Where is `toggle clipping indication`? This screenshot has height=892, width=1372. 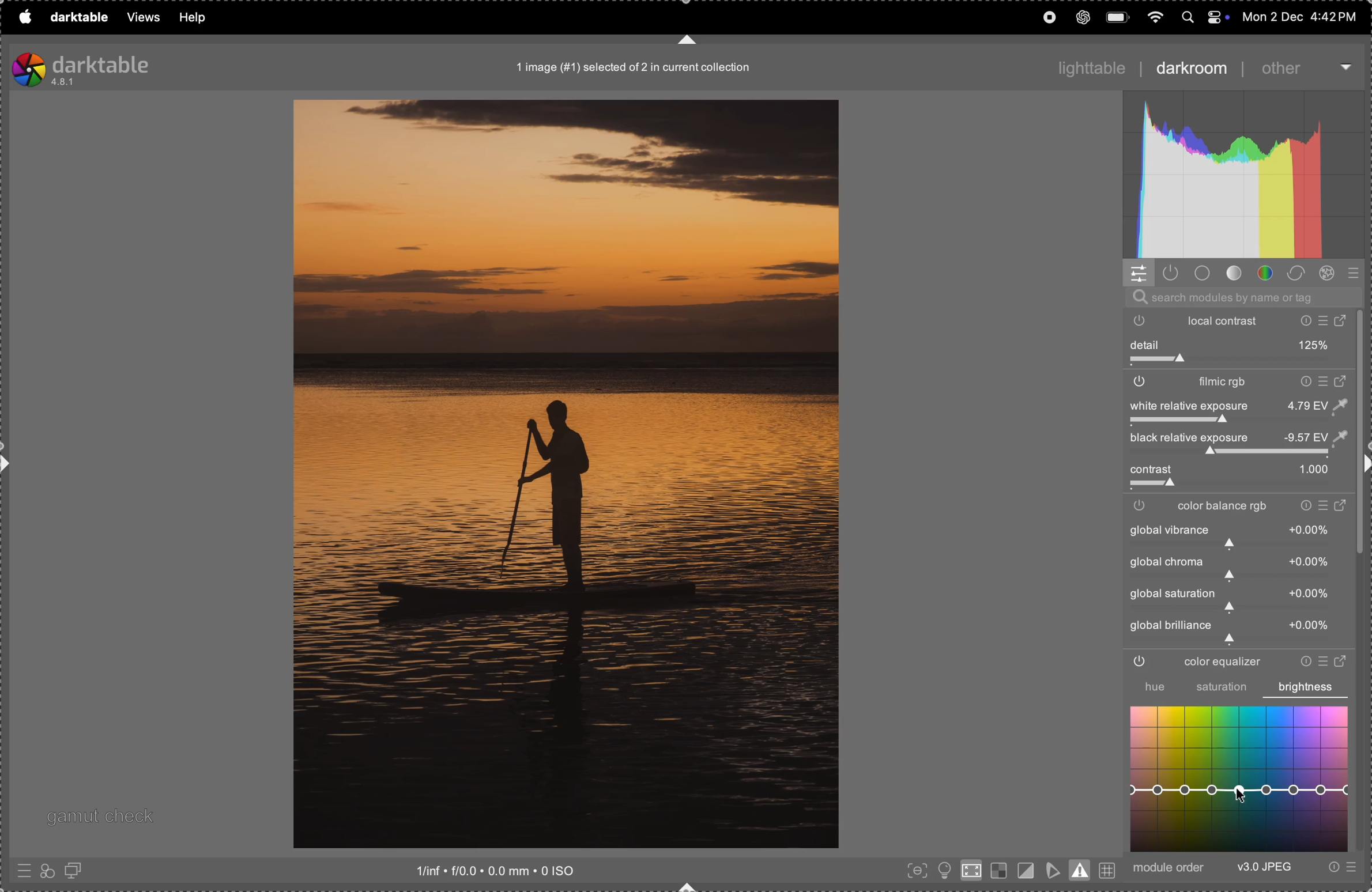
toggle clipping indication is located at coordinates (1024, 870).